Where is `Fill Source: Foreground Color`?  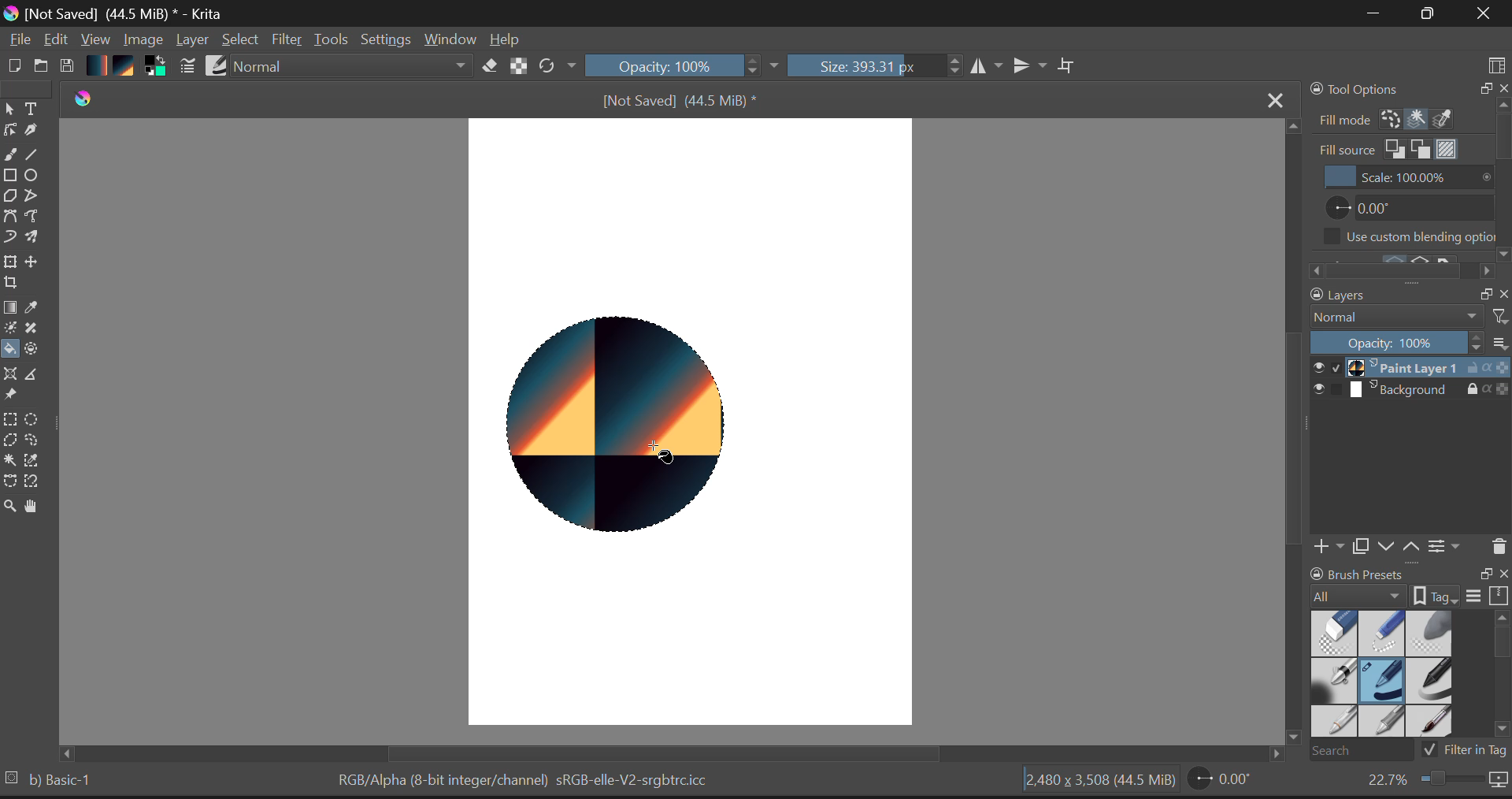
Fill Source: Foreground Color is located at coordinates (1397, 150).